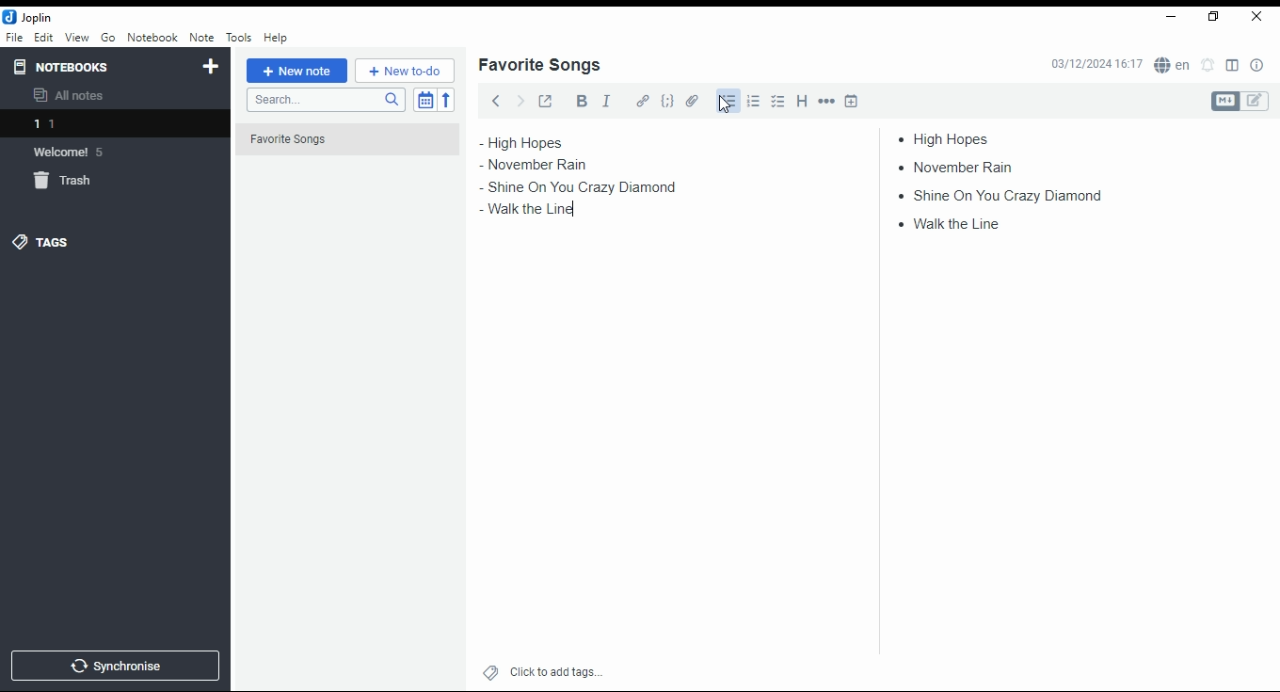  Describe the element at coordinates (667, 101) in the screenshot. I see `code` at that location.